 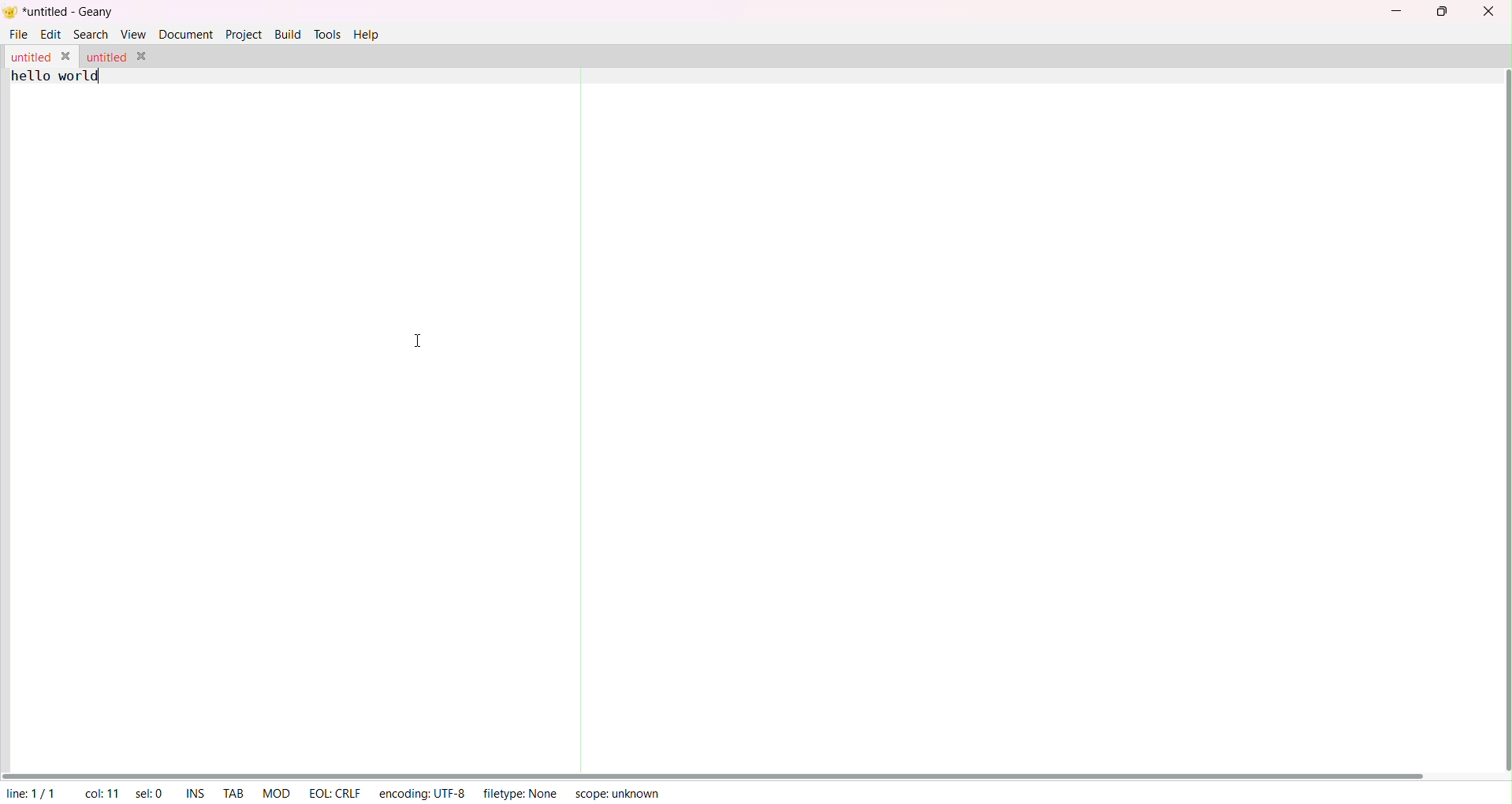 I want to click on view, so click(x=132, y=33).